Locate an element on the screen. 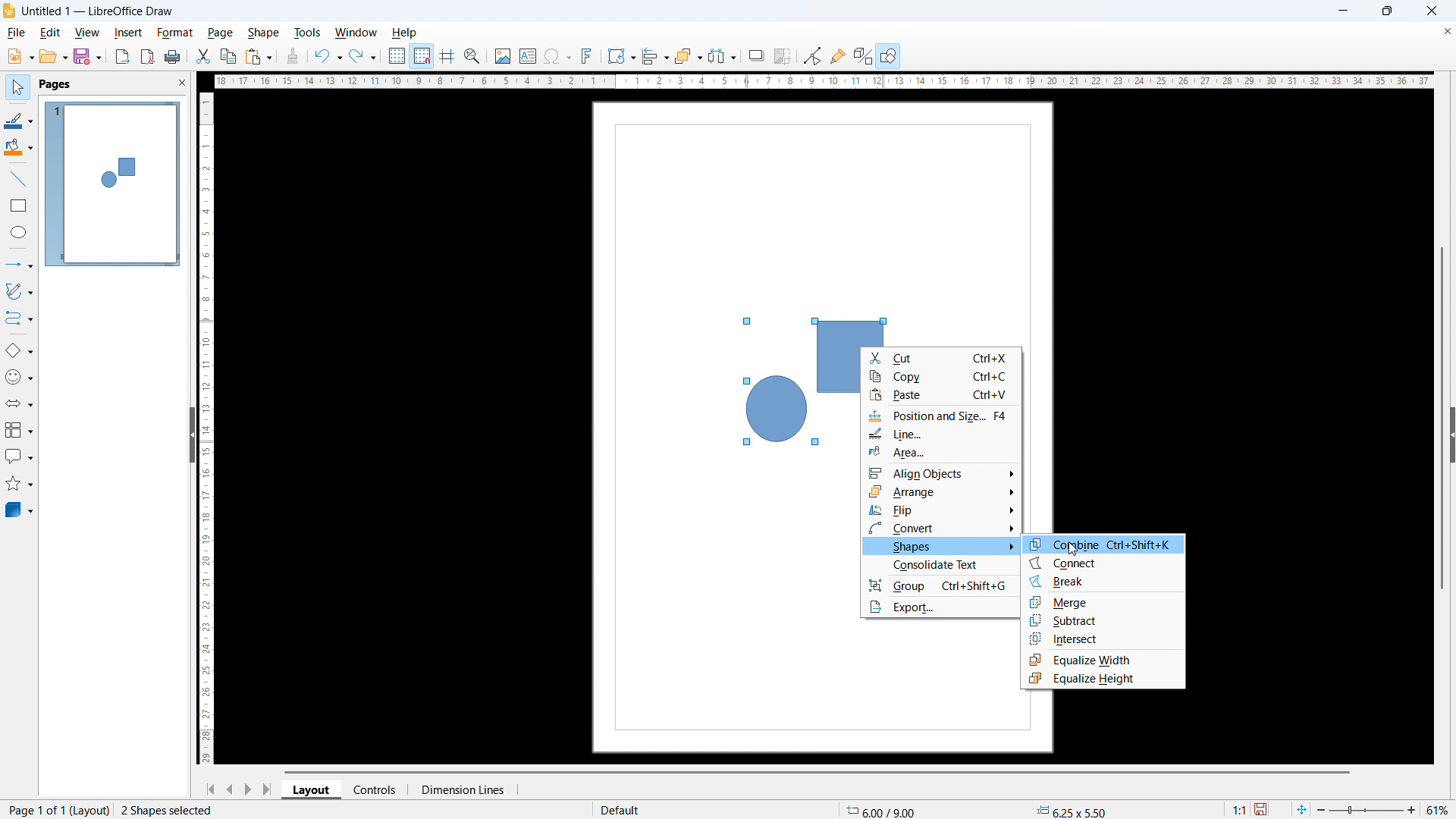 The width and height of the screenshot is (1456, 819). insert fontwork text is located at coordinates (588, 57).